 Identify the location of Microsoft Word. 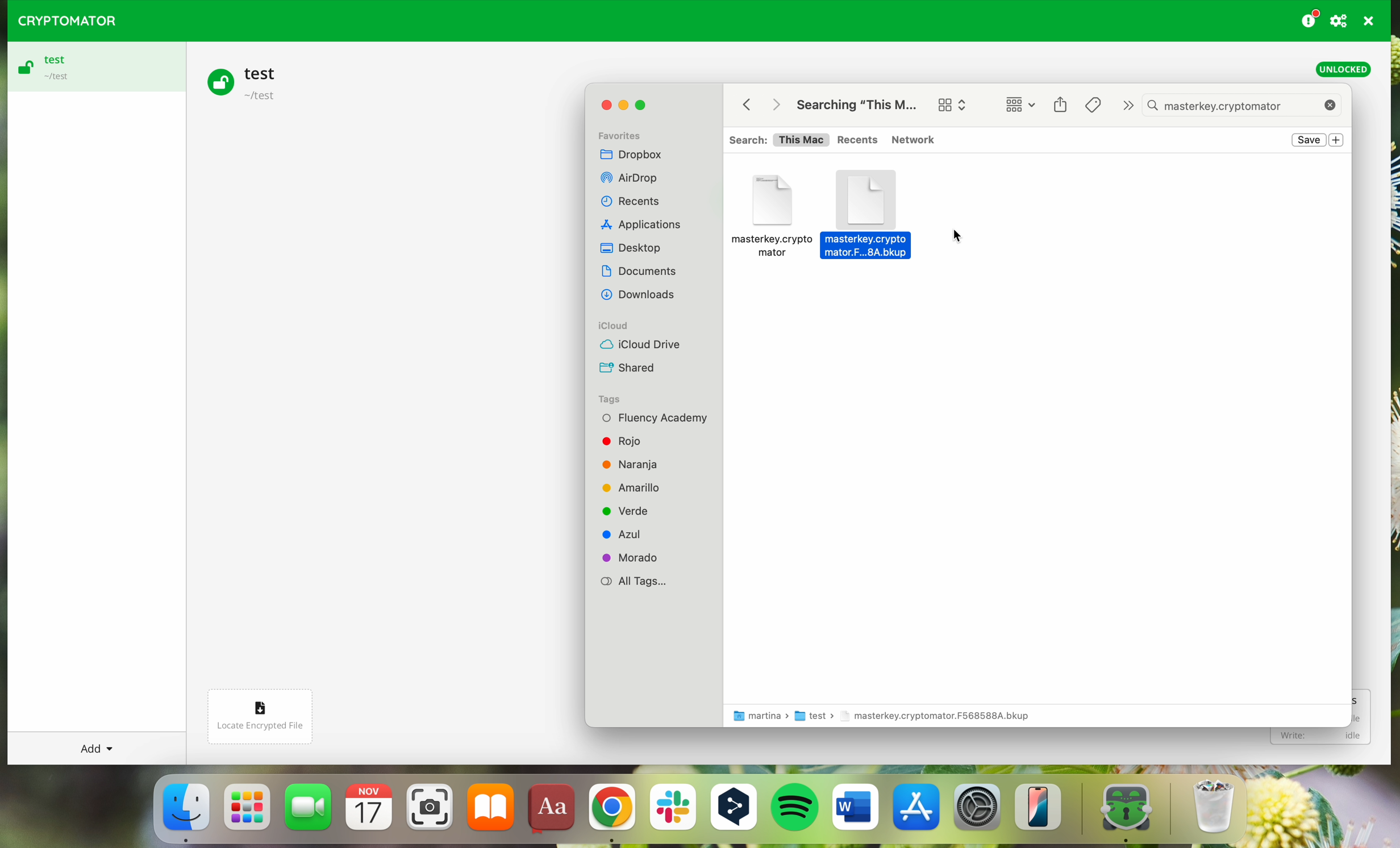
(856, 811).